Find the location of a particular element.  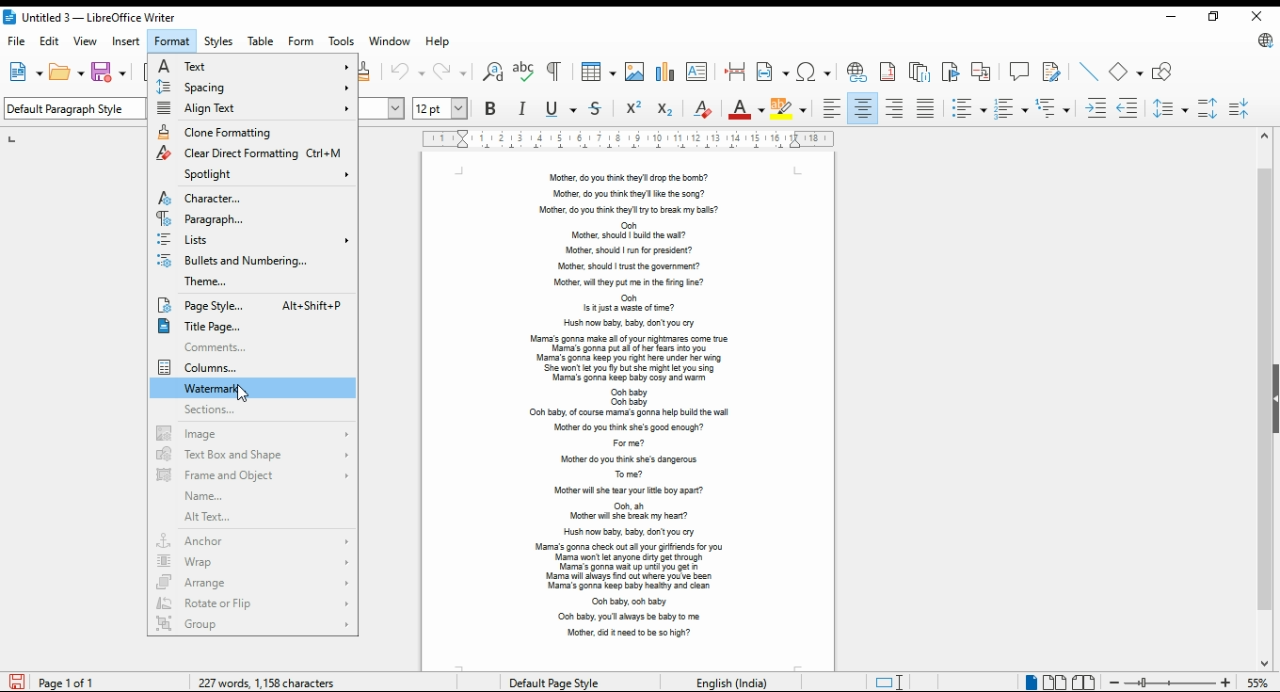

new is located at coordinates (24, 72).